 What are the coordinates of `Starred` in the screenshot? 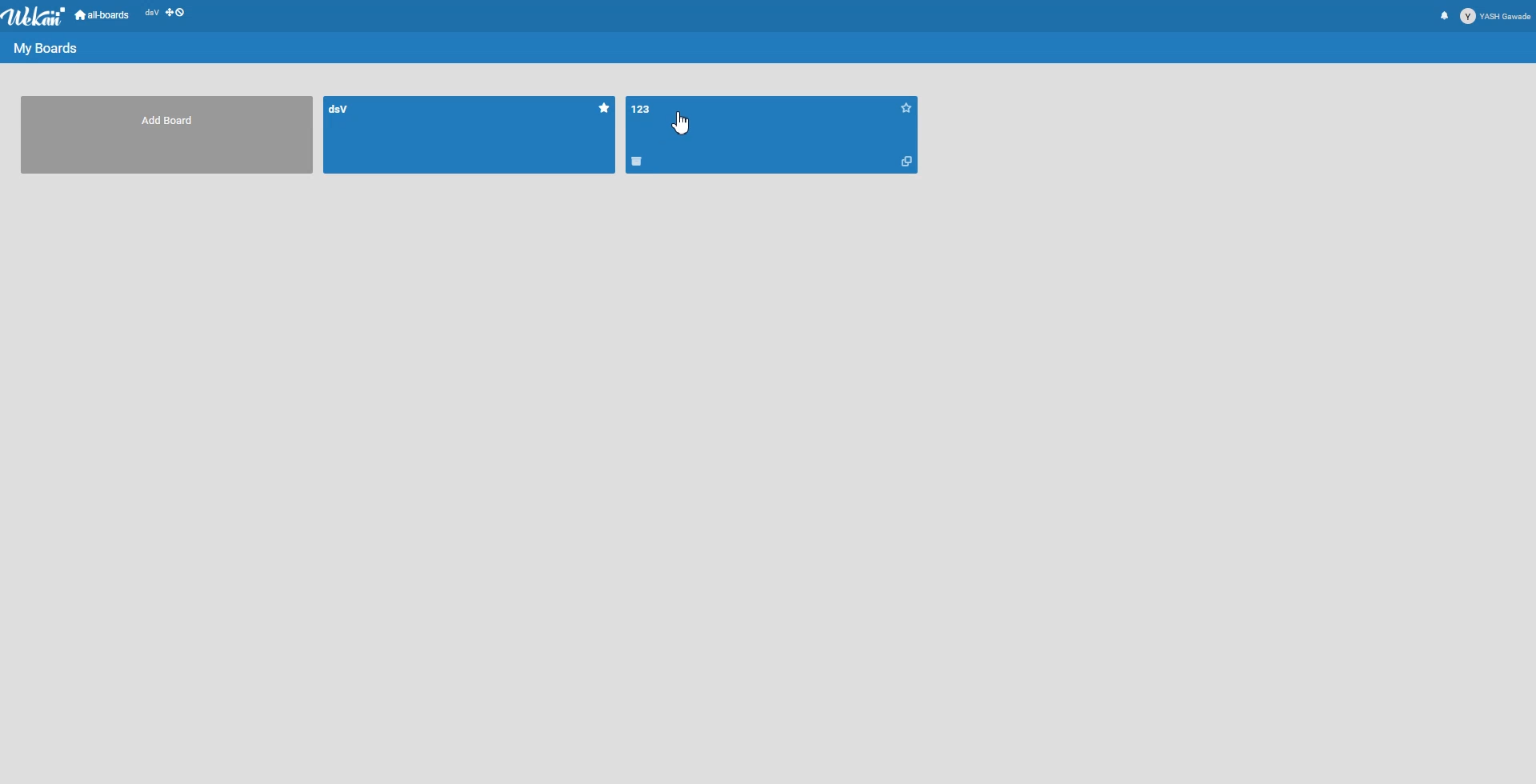 It's located at (604, 107).